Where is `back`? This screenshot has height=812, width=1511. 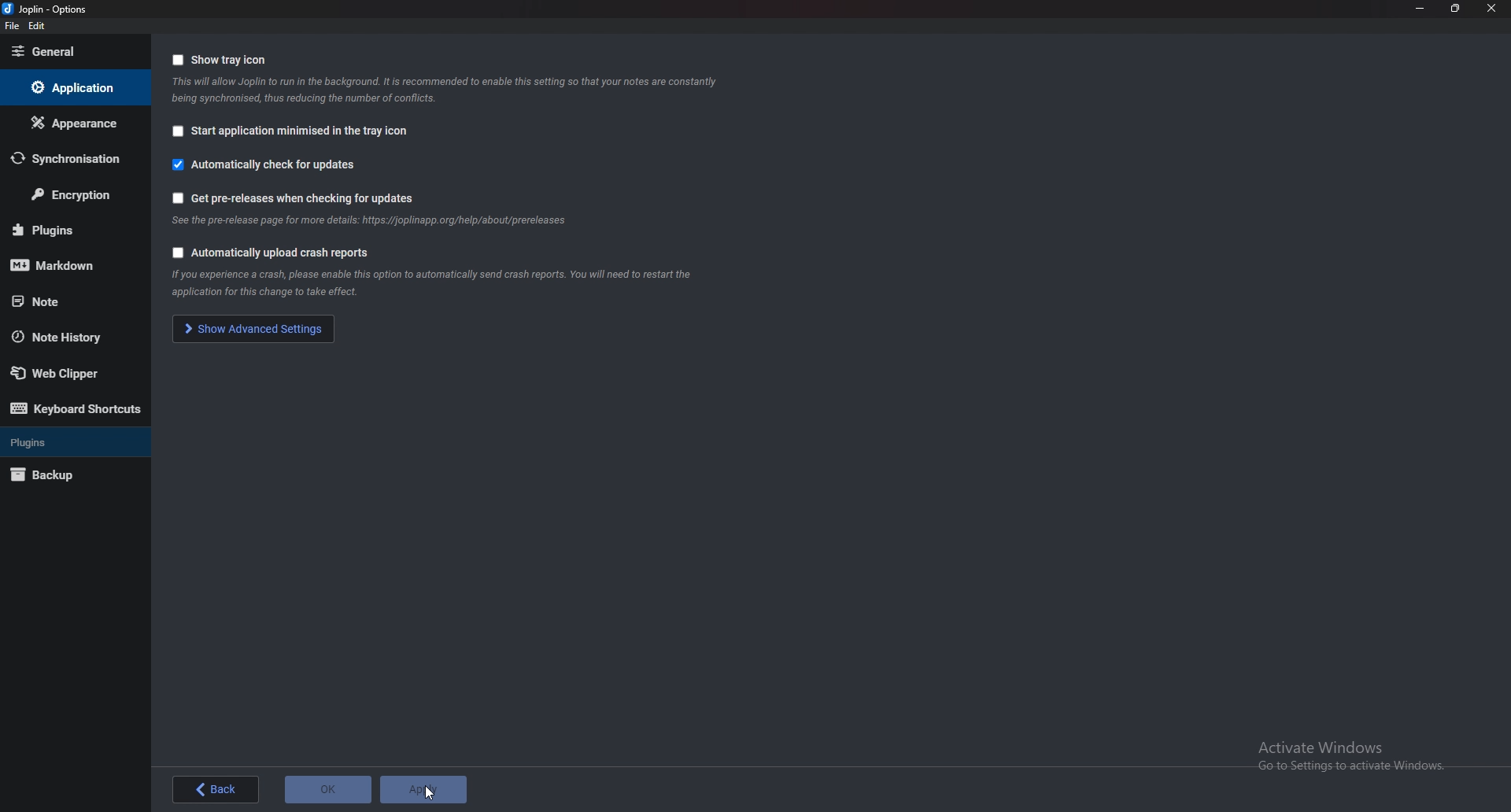 back is located at coordinates (216, 791).